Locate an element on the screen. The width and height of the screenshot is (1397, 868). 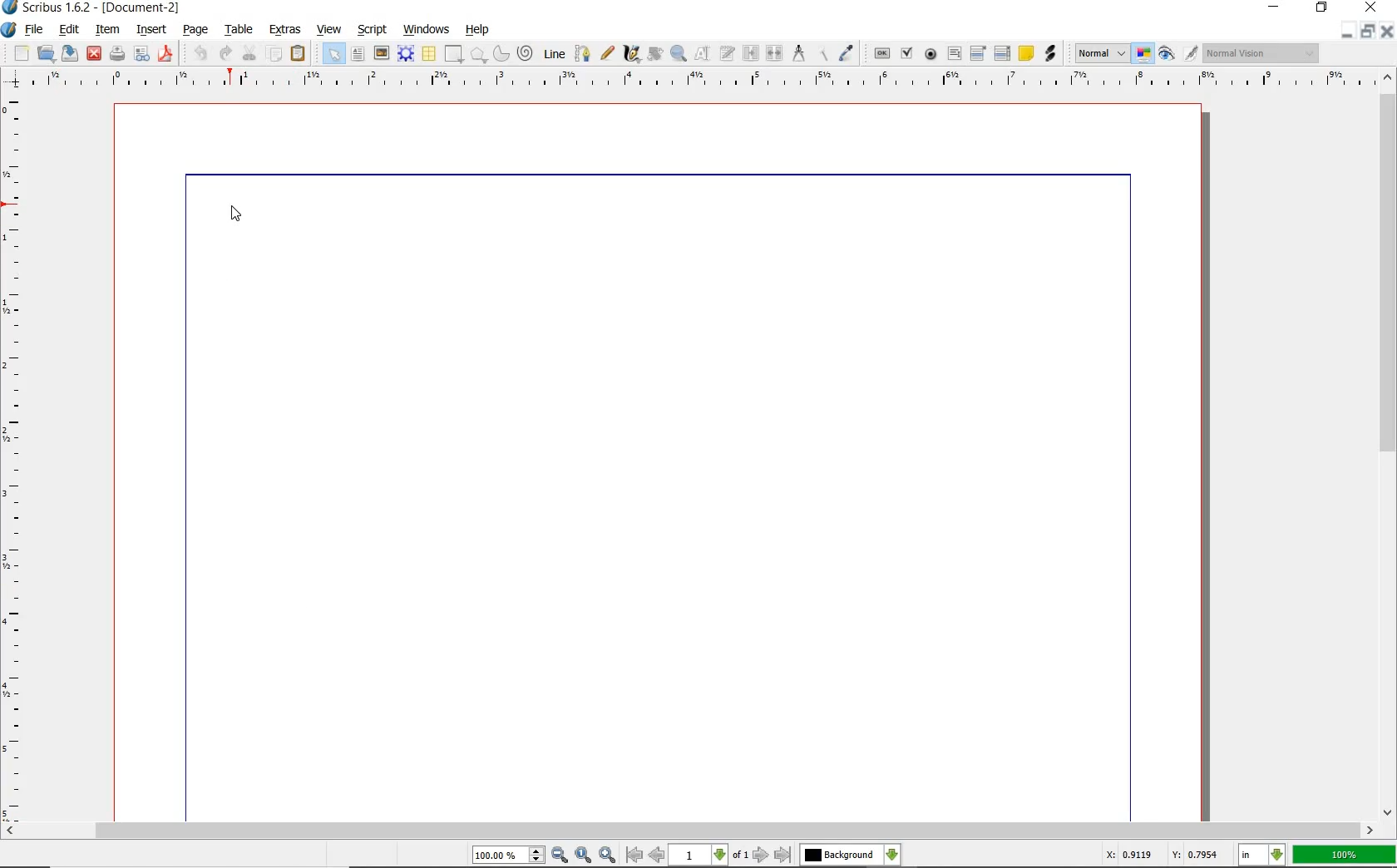
polygon is located at coordinates (478, 55).